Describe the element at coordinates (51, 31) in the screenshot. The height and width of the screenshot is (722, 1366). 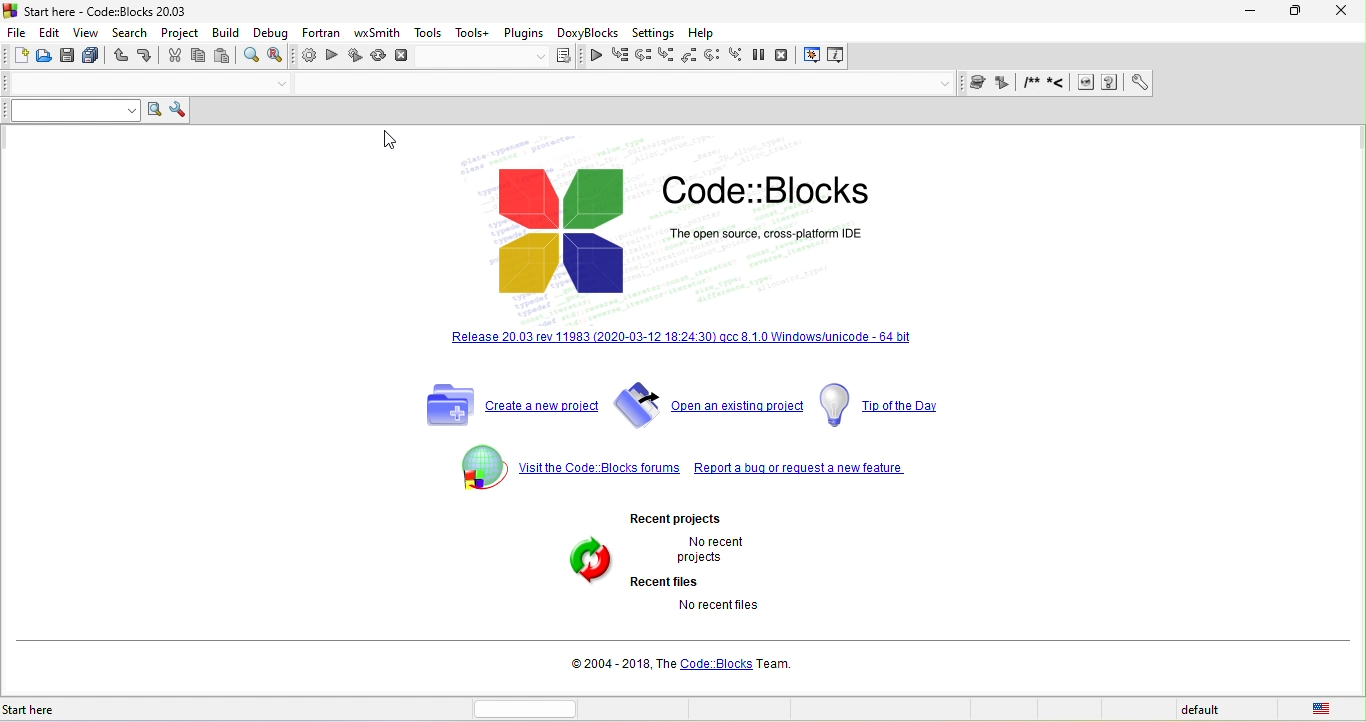
I see `edit` at that location.